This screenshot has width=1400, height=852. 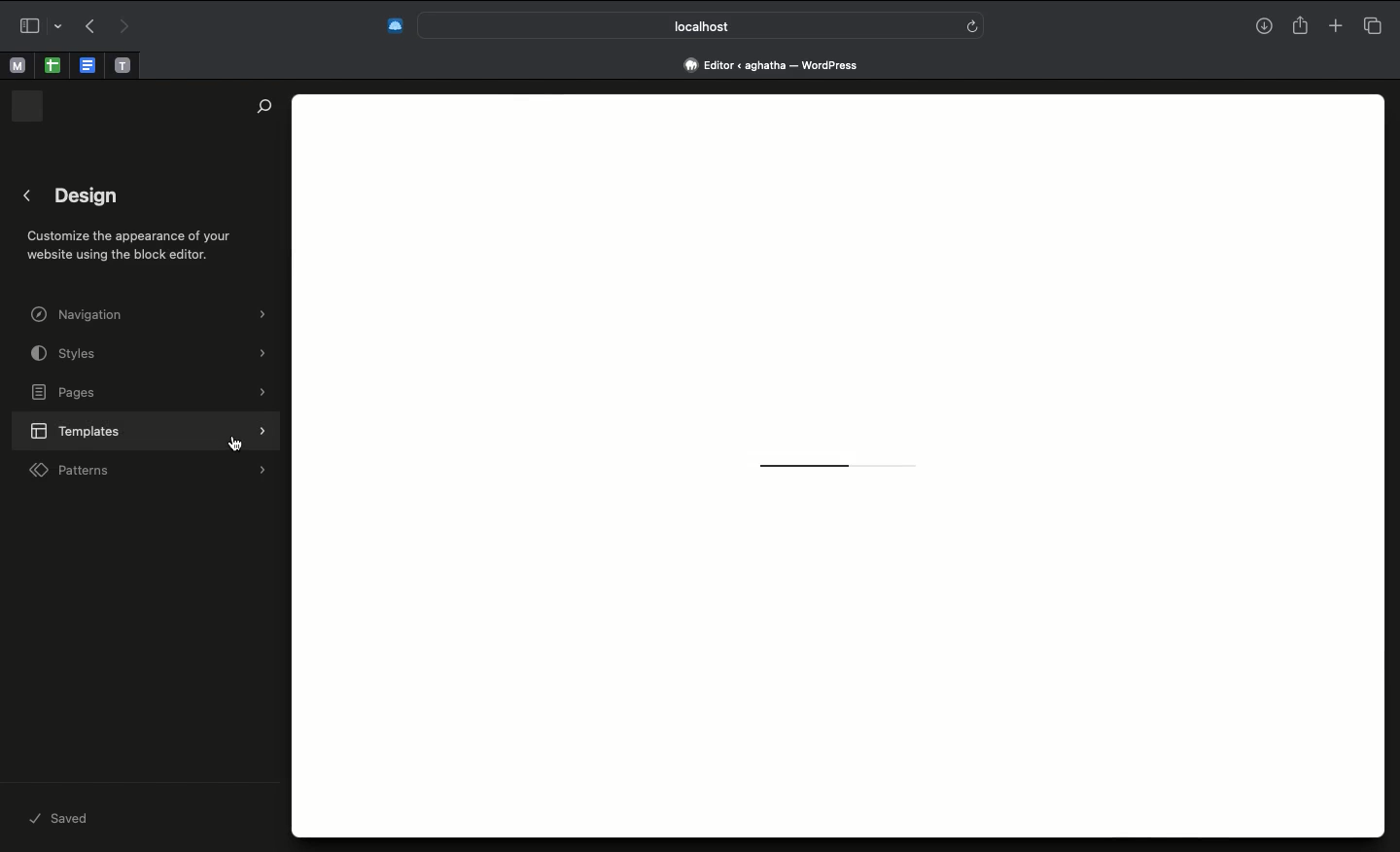 What do you see at coordinates (37, 25) in the screenshot?
I see `Sidebar` at bounding box center [37, 25].